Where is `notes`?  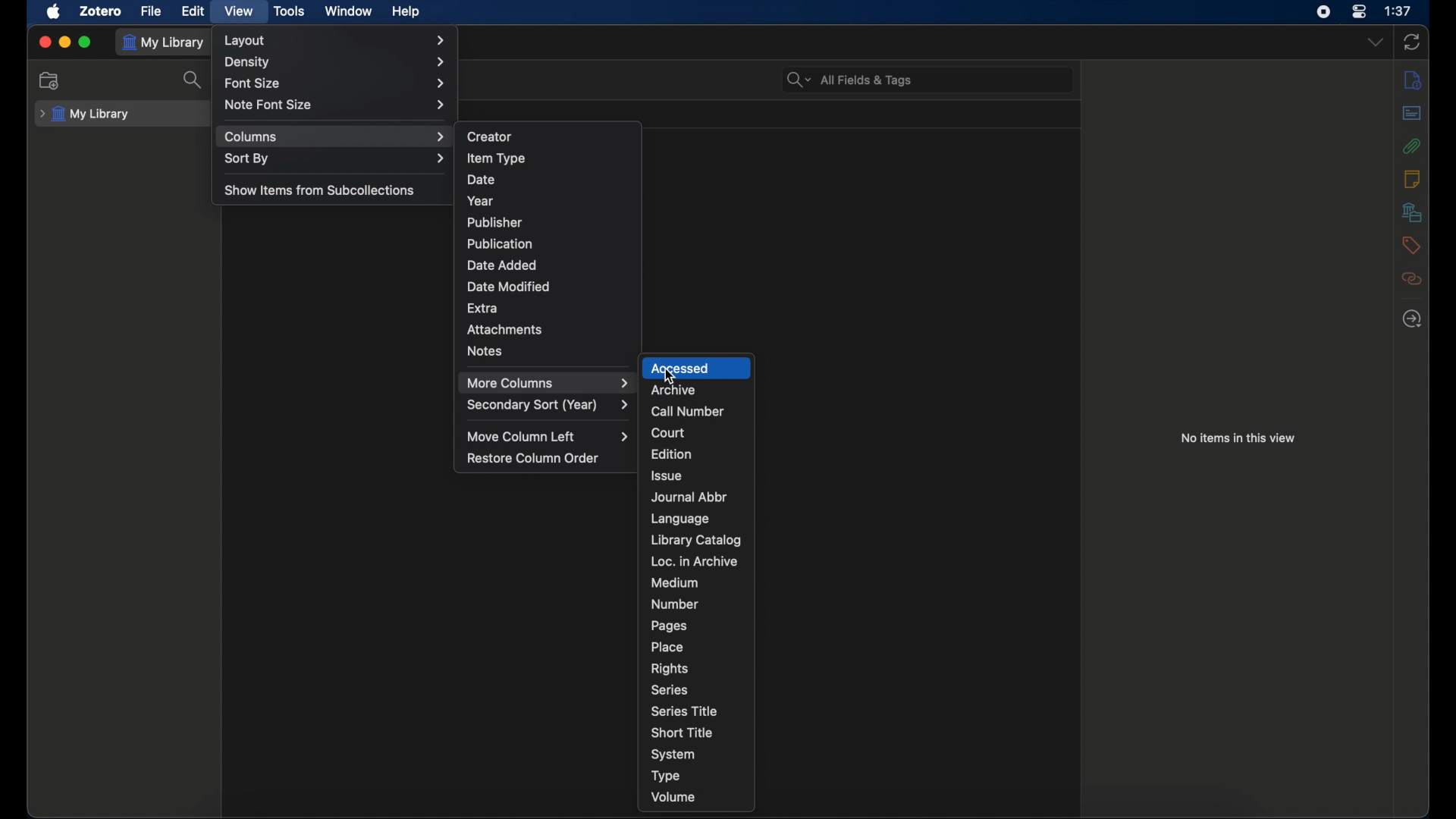 notes is located at coordinates (1412, 179).